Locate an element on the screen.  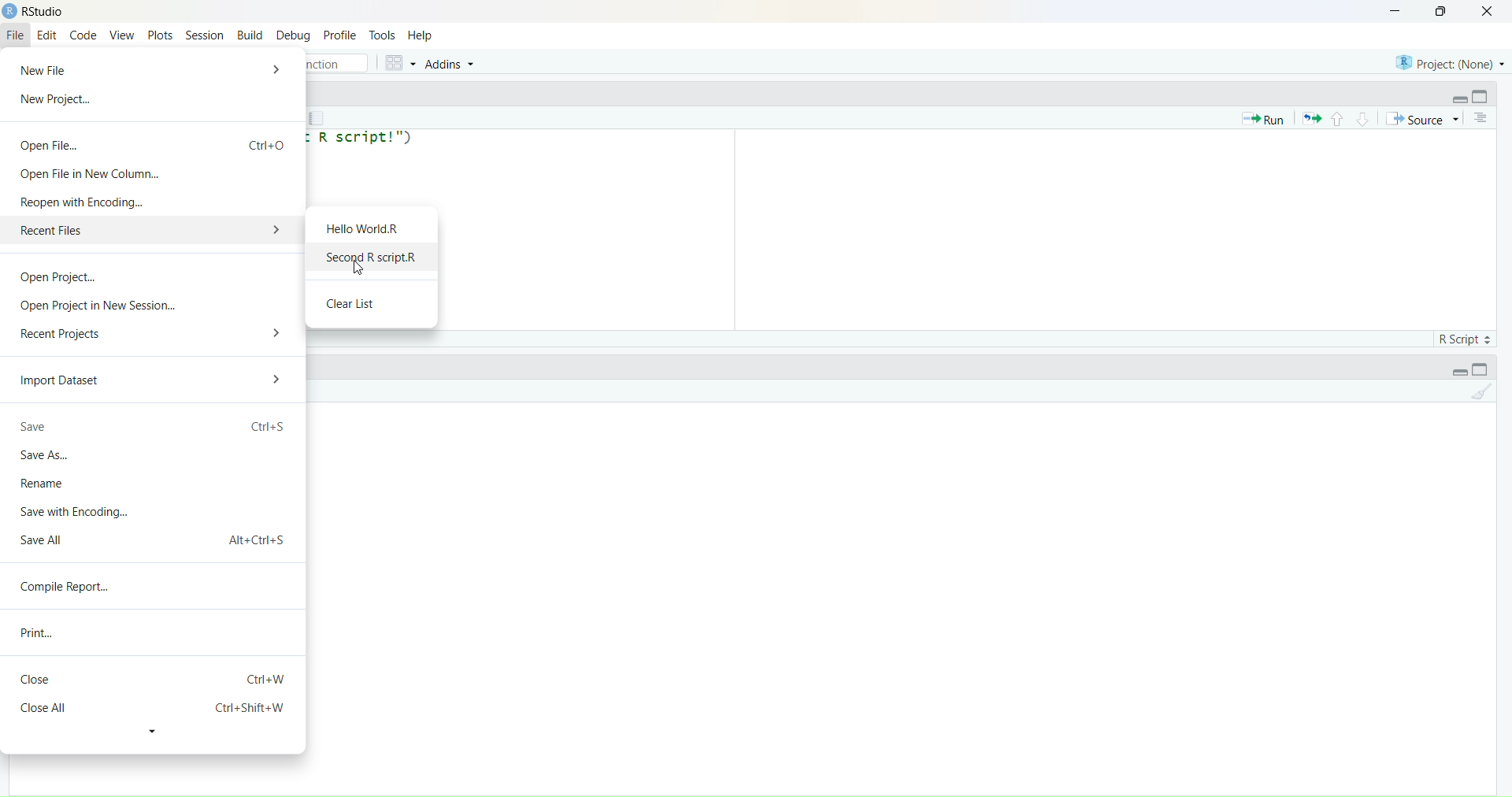
Second R script. is located at coordinates (370, 256).